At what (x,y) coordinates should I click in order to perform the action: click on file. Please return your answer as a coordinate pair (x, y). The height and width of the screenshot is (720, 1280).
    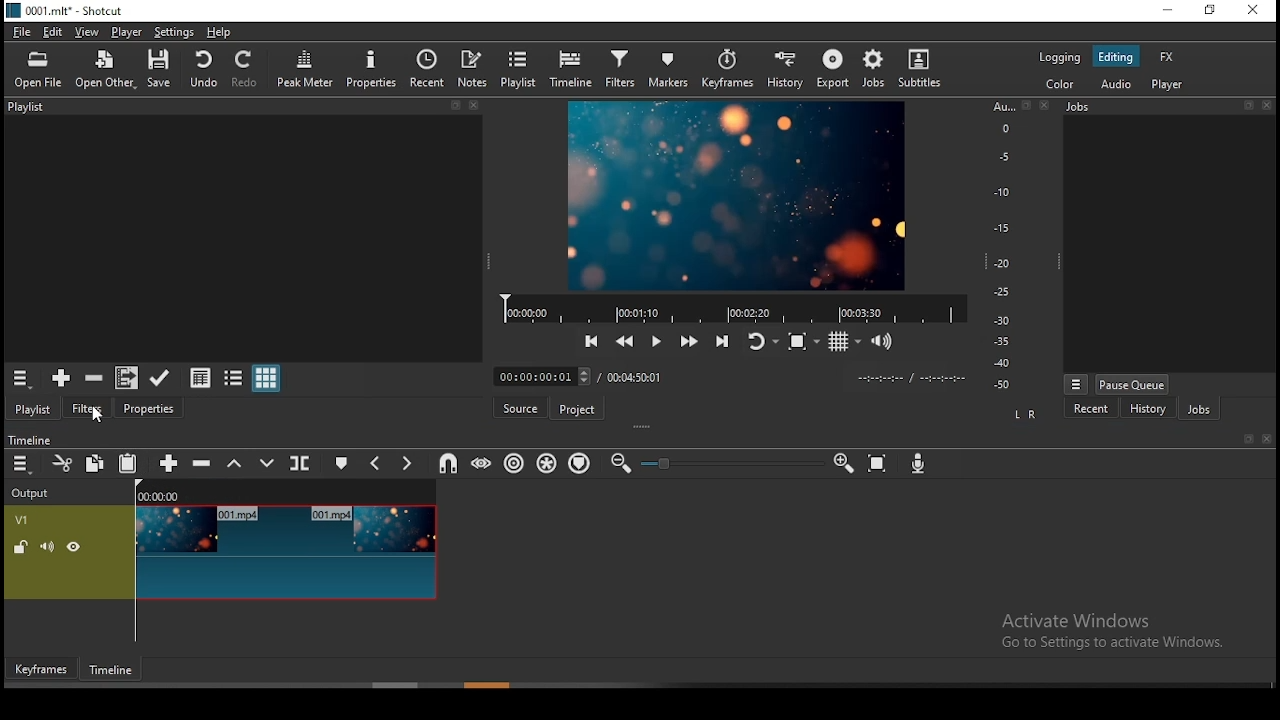
    Looking at the image, I should click on (20, 33).